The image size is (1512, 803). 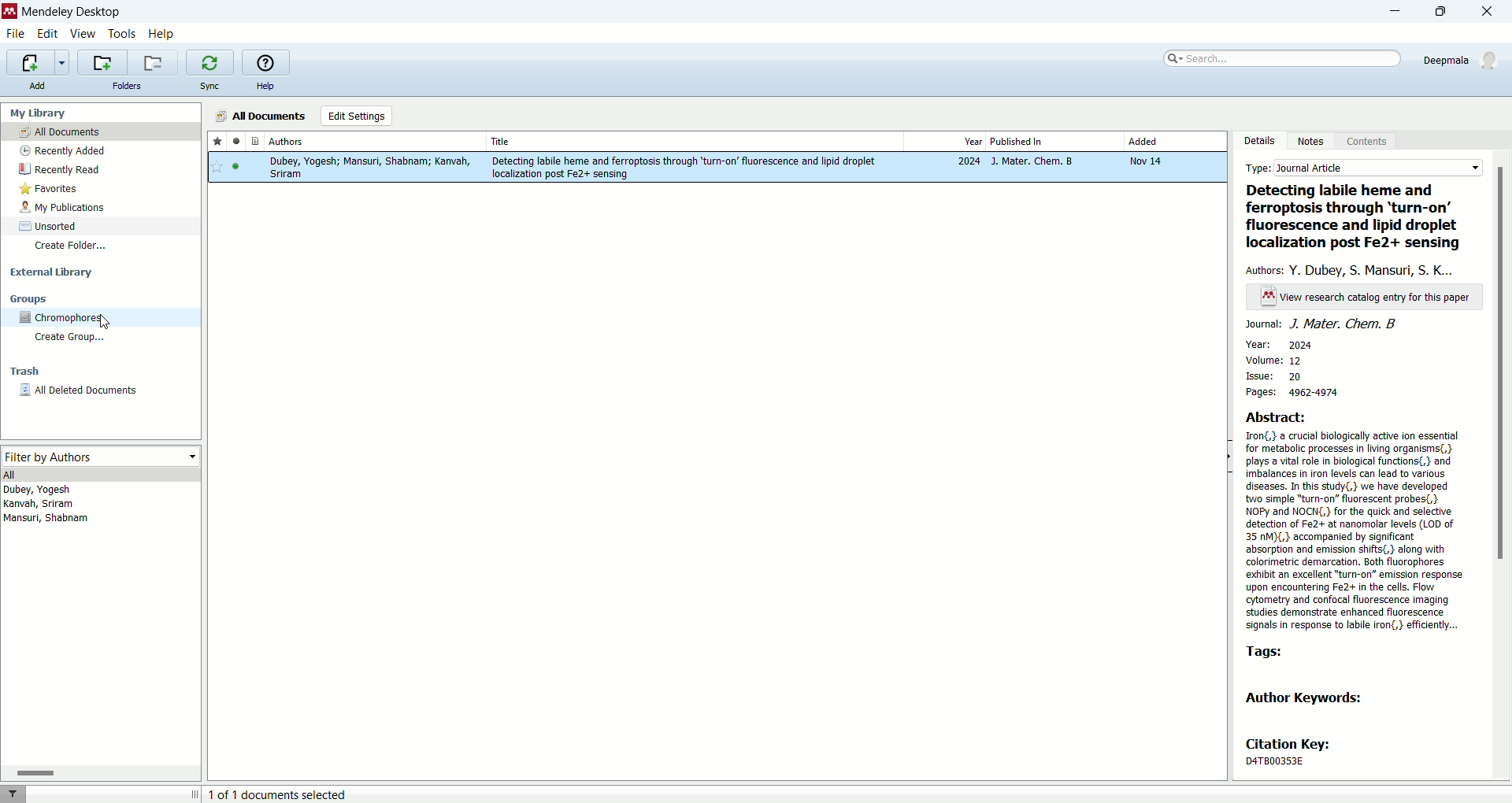 What do you see at coordinates (1314, 142) in the screenshot?
I see `notes` at bounding box center [1314, 142].